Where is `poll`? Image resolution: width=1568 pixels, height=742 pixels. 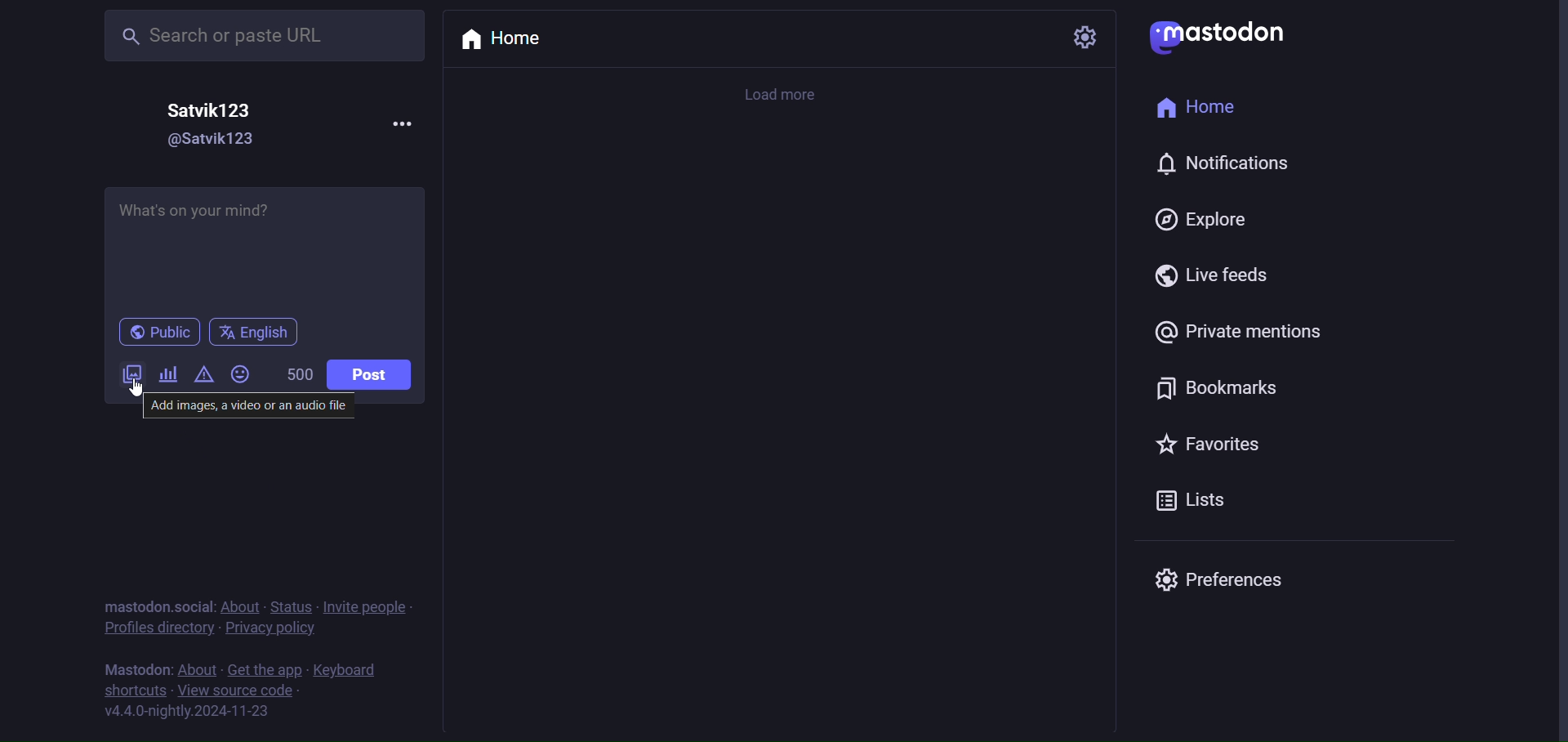
poll is located at coordinates (163, 375).